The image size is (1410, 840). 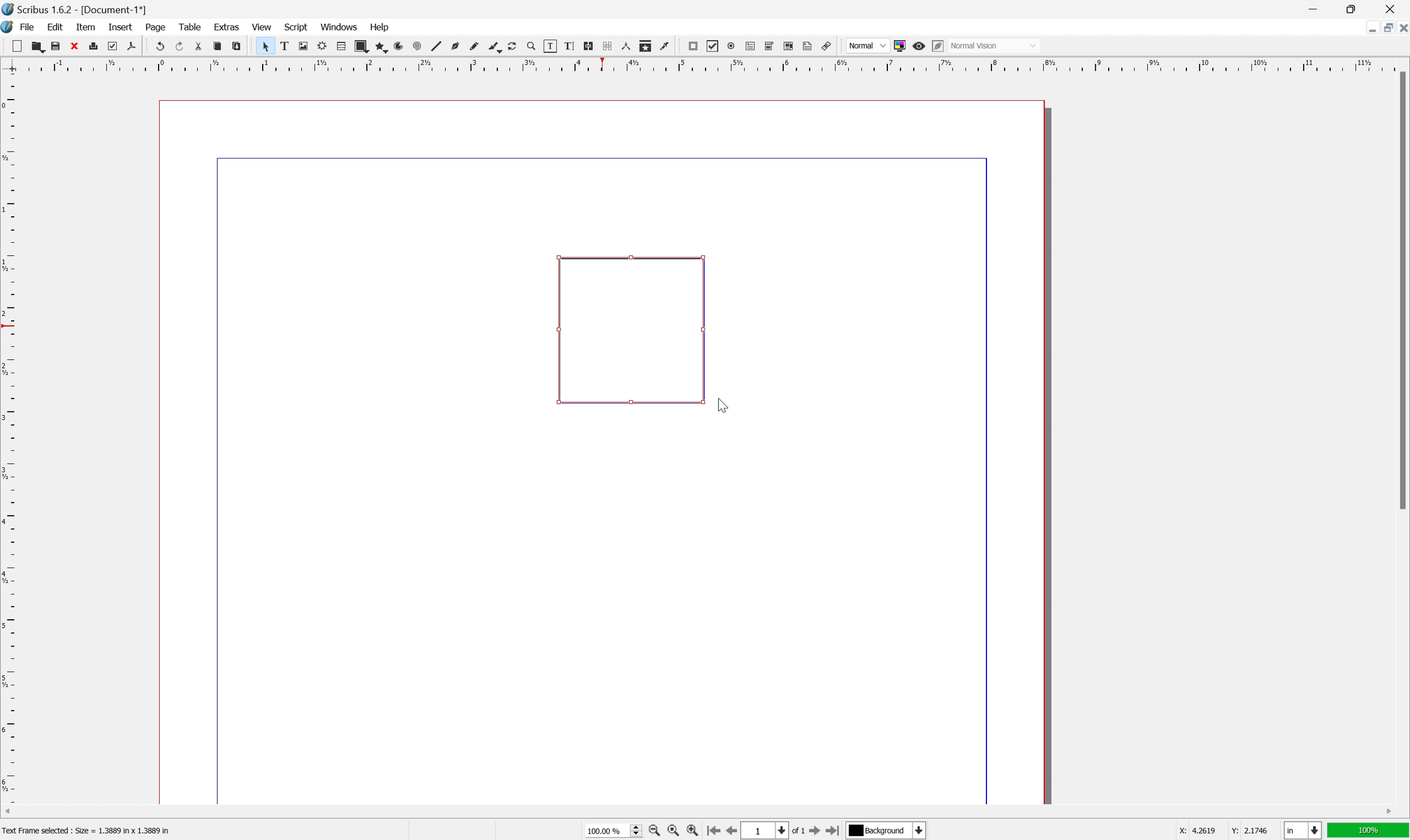 What do you see at coordinates (613, 830) in the screenshot?
I see `select current zoom level` at bounding box center [613, 830].